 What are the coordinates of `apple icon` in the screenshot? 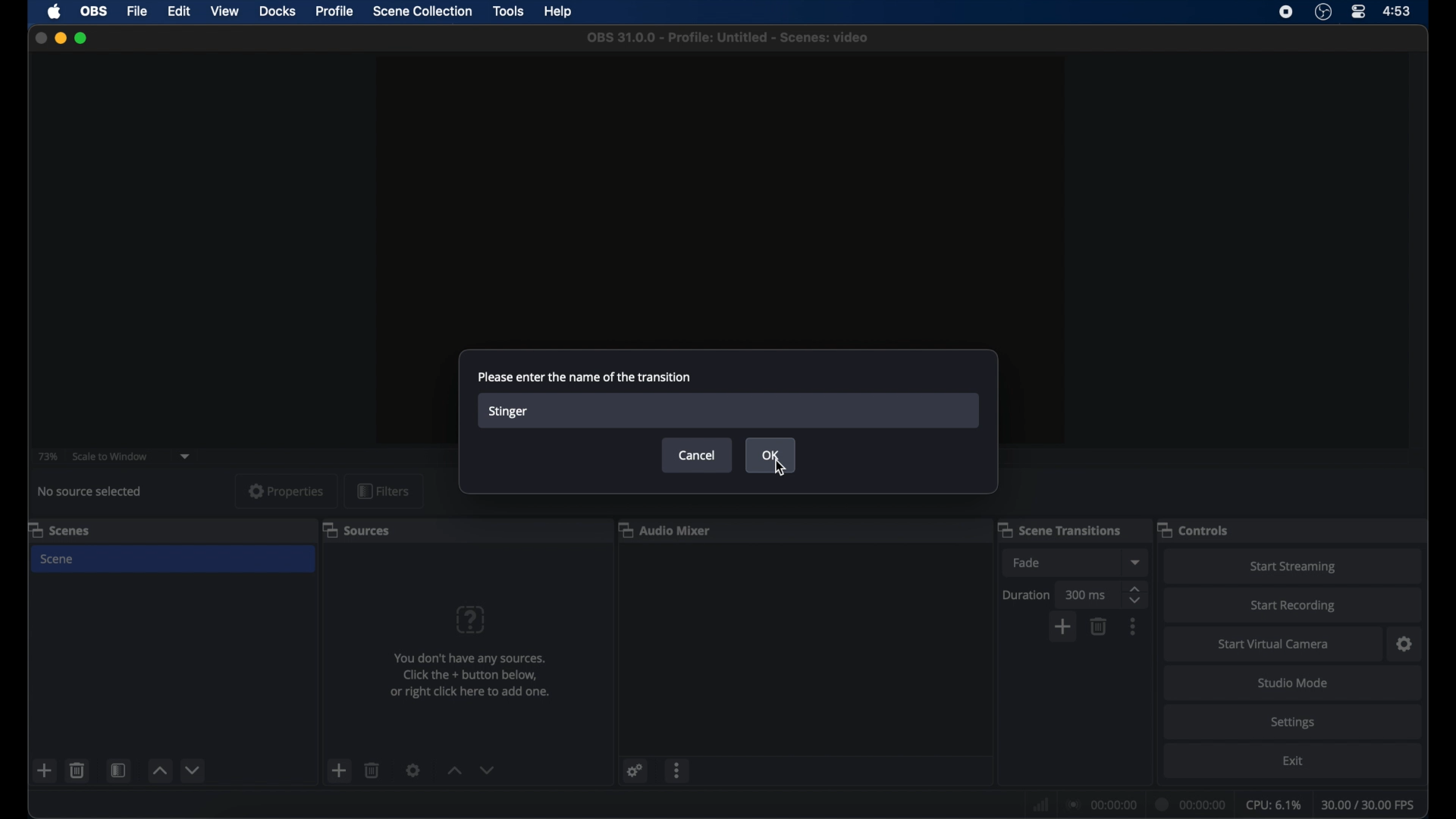 It's located at (55, 12).